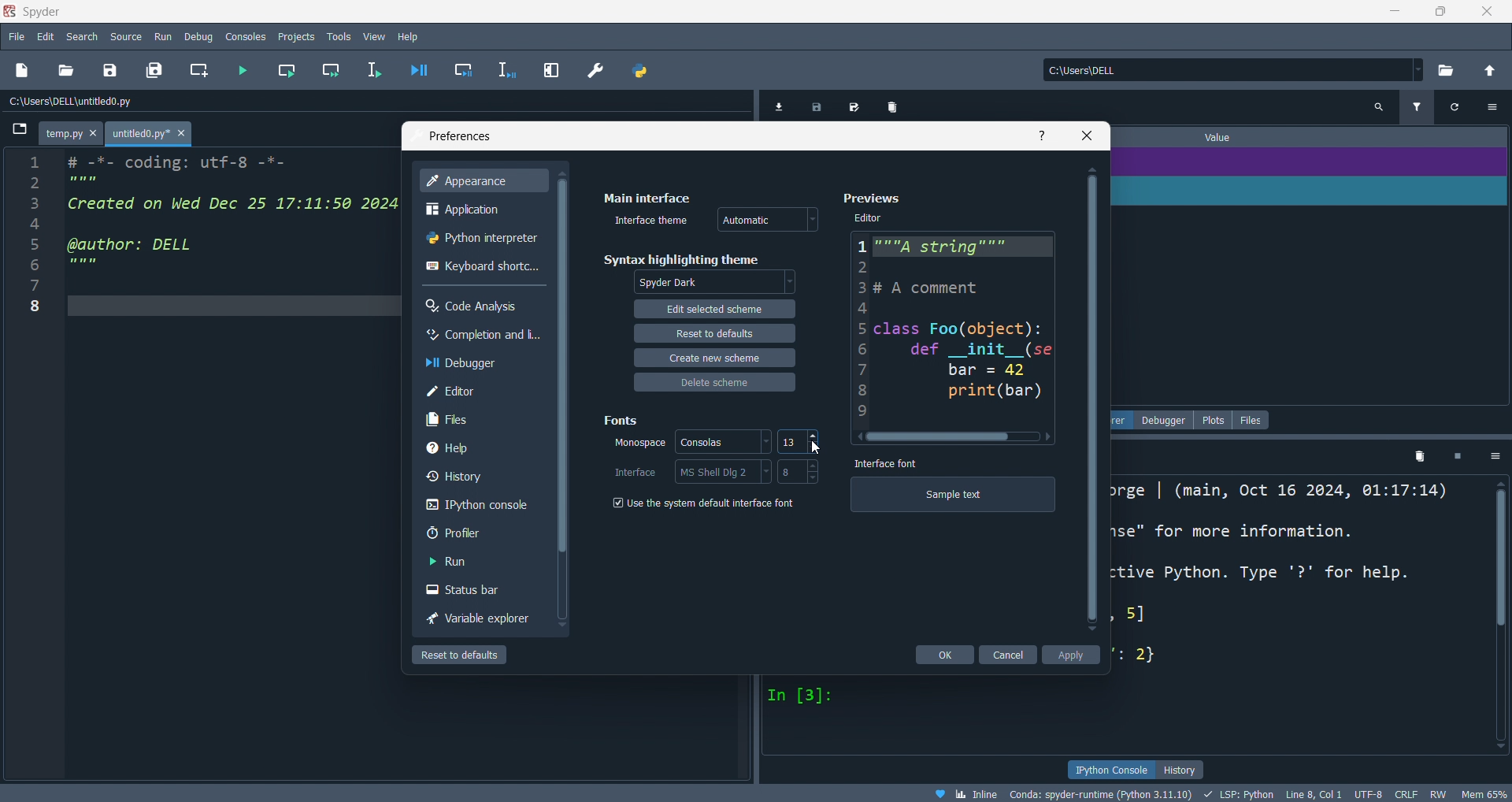 Image resolution: width=1512 pixels, height=802 pixels. What do you see at coordinates (480, 621) in the screenshot?
I see `variable explorer` at bounding box center [480, 621].